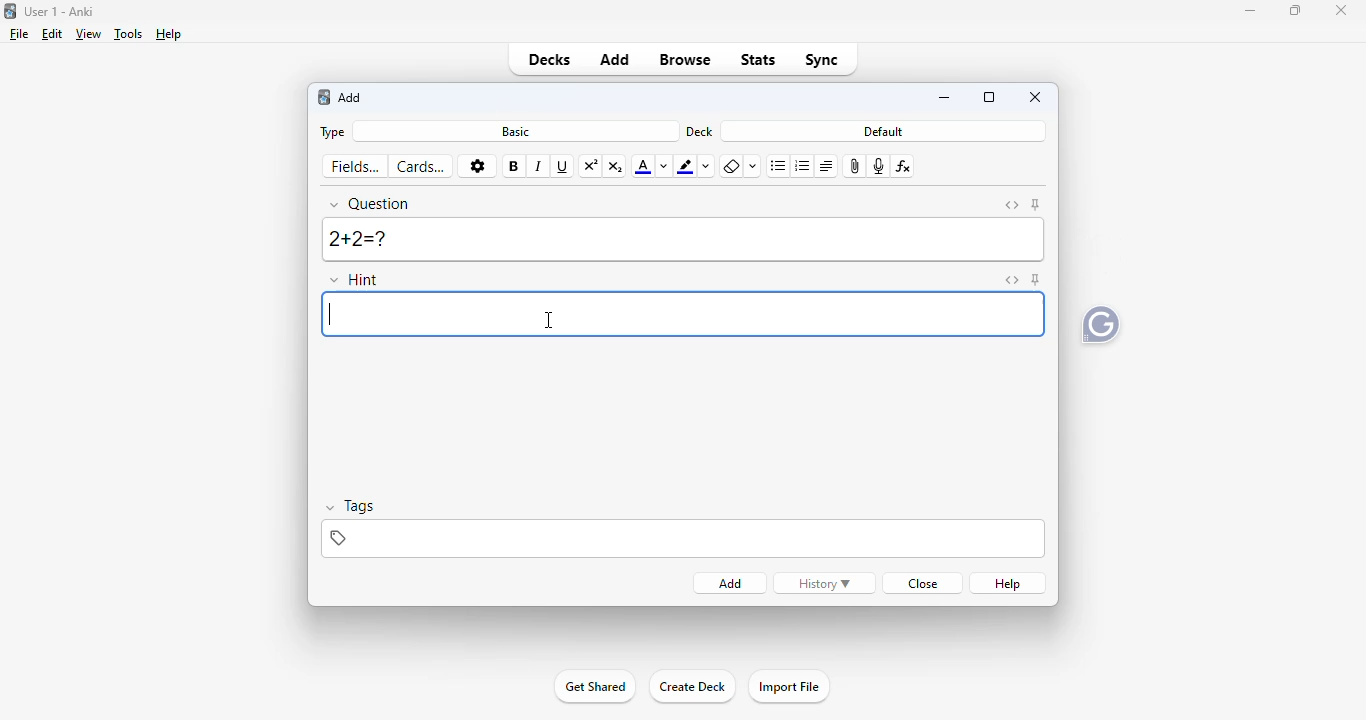 Image resolution: width=1366 pixels, height=720 pixels. I want to click on tags, so click(350, 506).